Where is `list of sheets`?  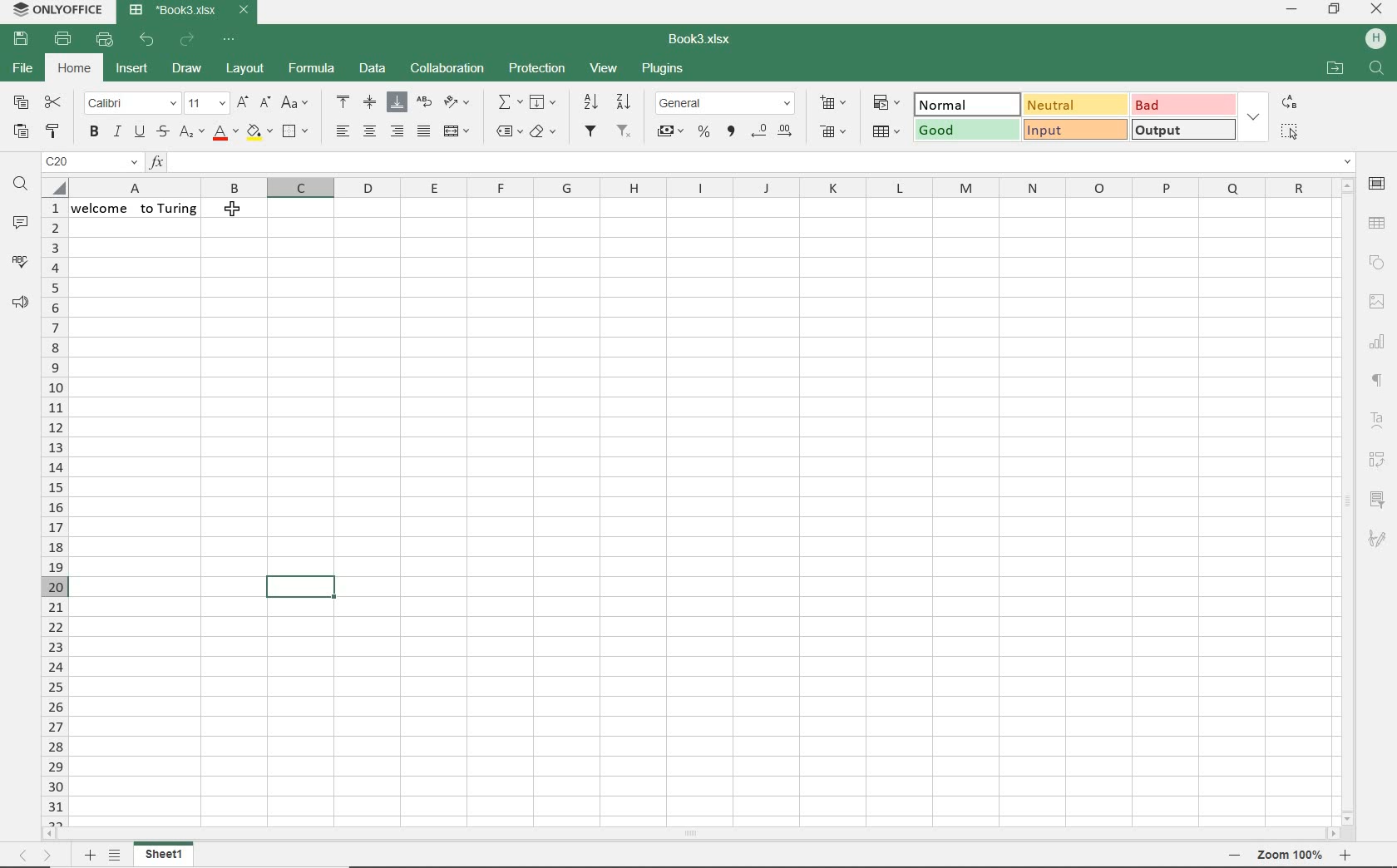 list of sheets is located at coordinates (116, 856).